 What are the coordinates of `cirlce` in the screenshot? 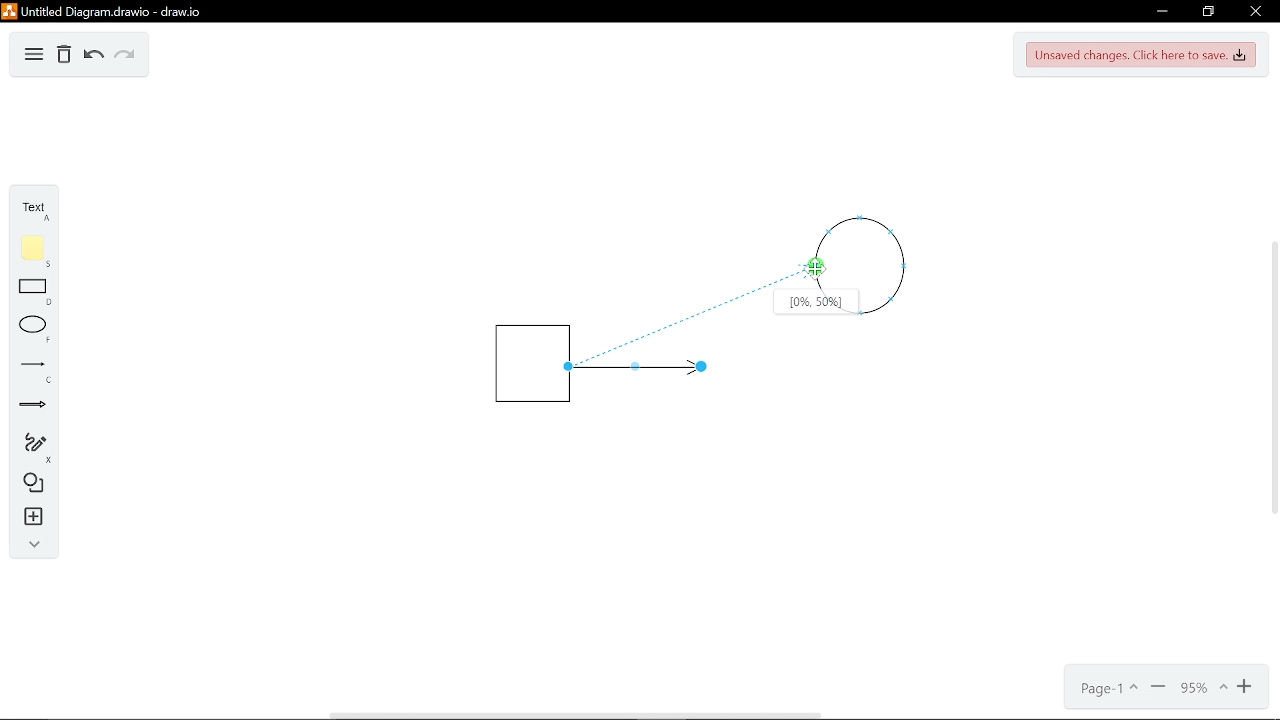 It's located at (866, 235).